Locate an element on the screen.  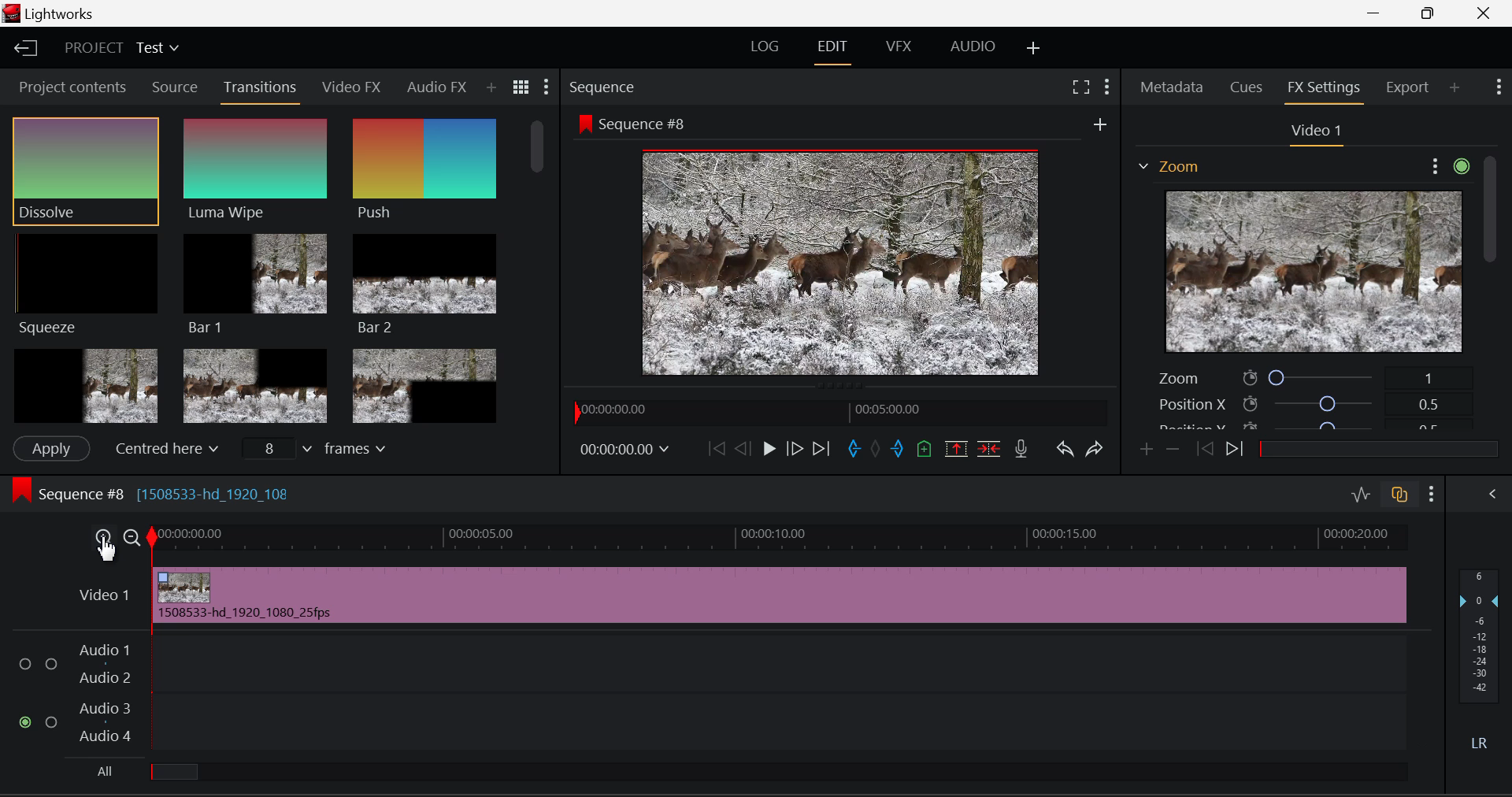
Audio Input Checkbox is located at coordinates (24, 665).